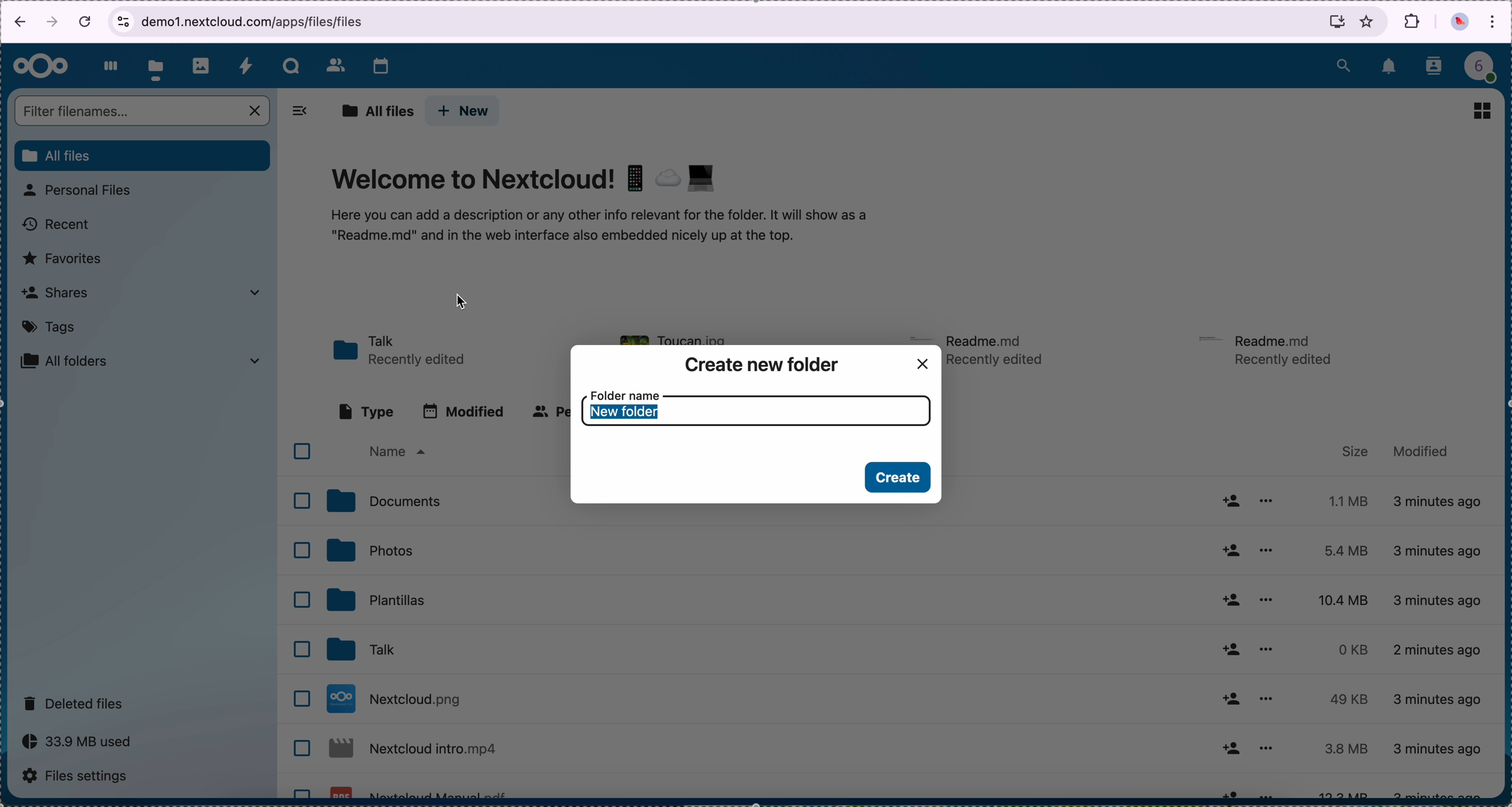 The image size is (1512, 807). What do you see at coordinates (1493, 23) in the screenshot?
I see `customize and control Google Chrome` at bounding box center [1493, 23].